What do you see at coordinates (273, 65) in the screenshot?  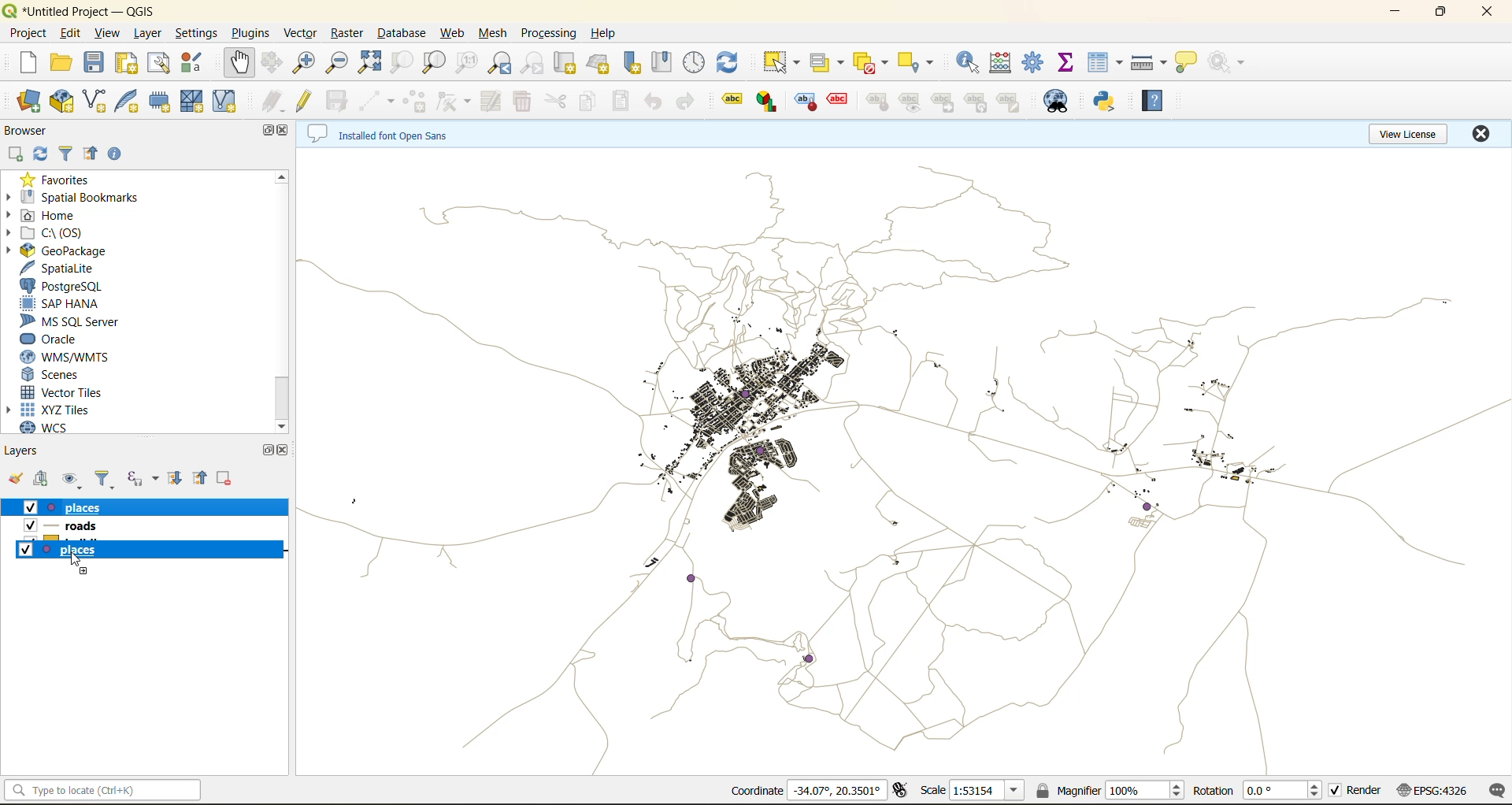 I see `pan to selection` at bounding box center [273, 65].